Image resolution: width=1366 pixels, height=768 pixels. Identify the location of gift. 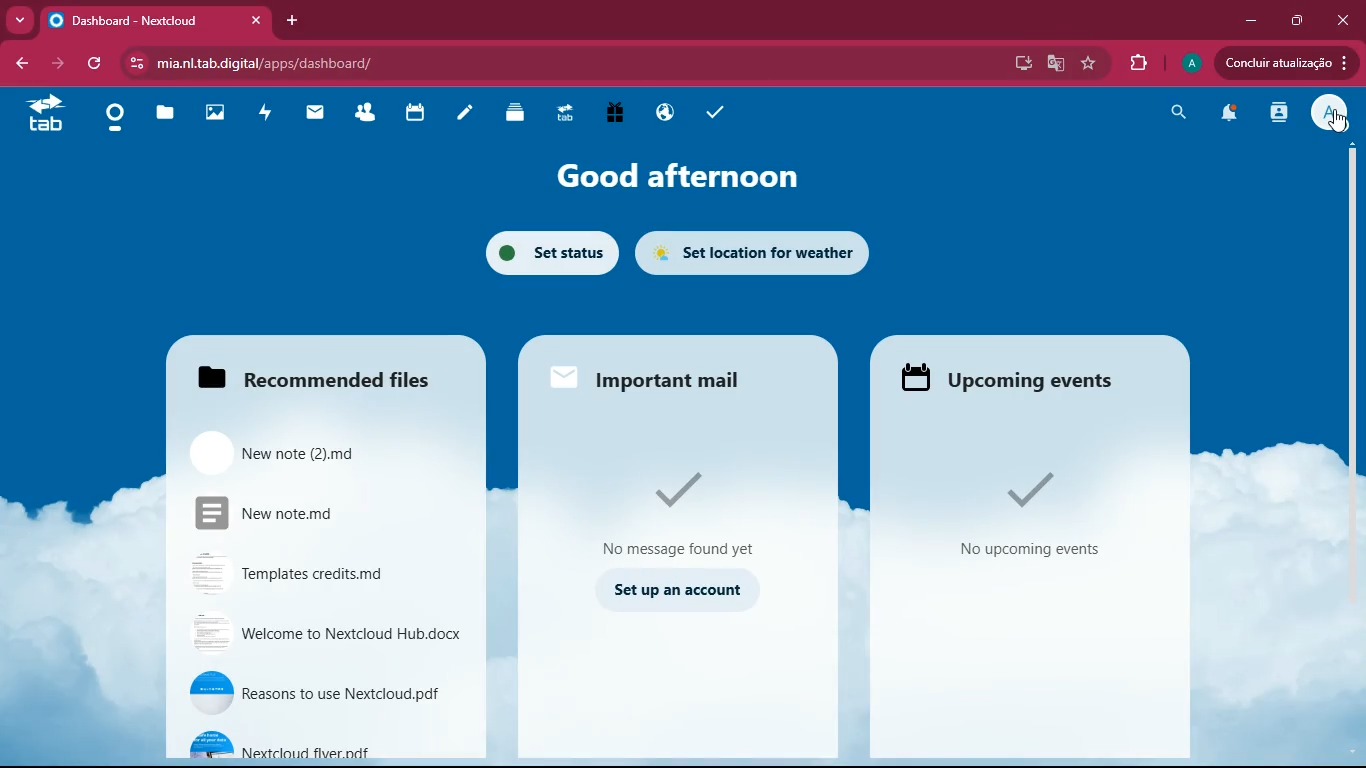
(616, 114).